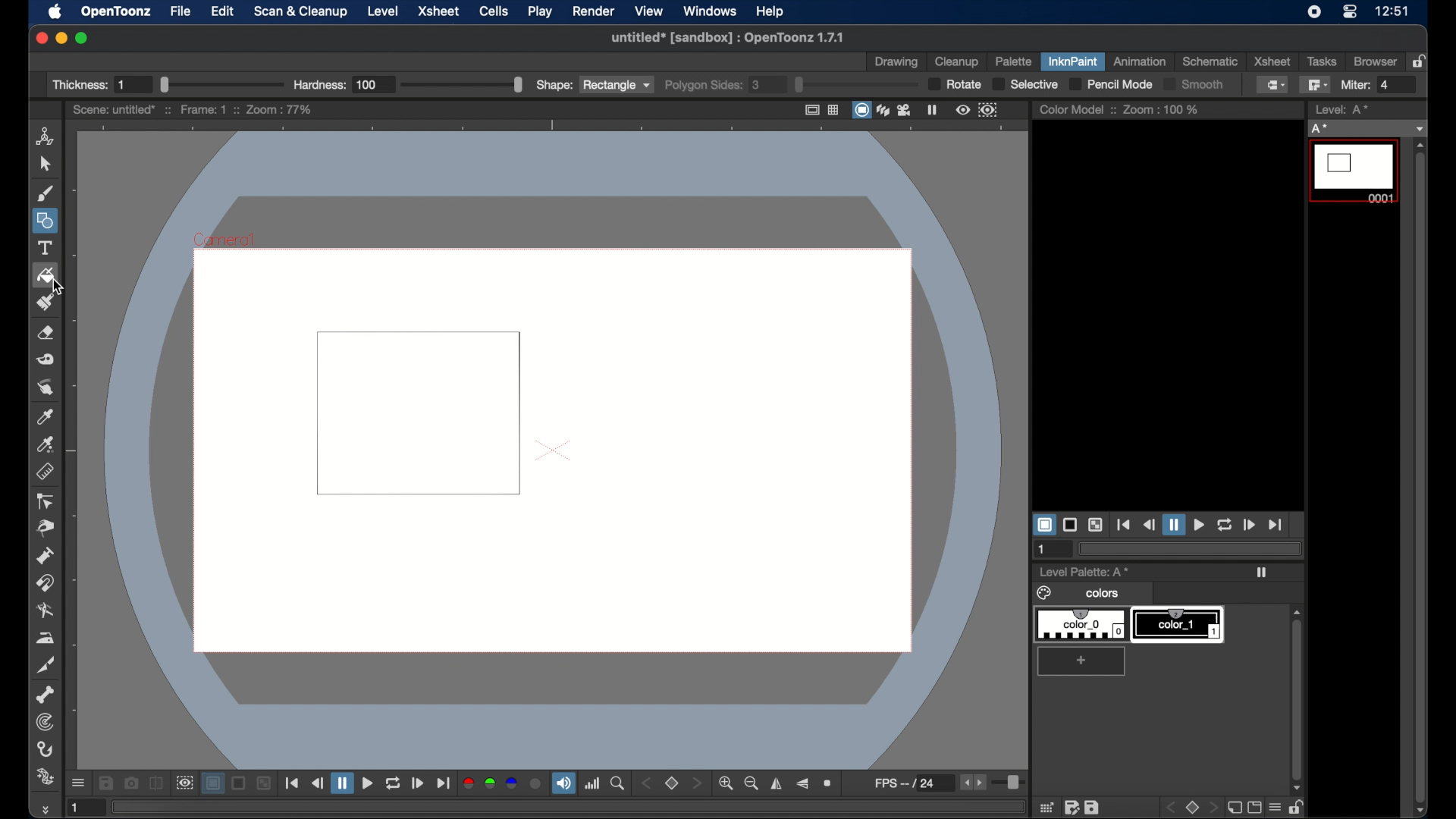 Image resolution: width=1456 pixels, height=819 pixels. I want to click on level 0001, so click(1356, 171).